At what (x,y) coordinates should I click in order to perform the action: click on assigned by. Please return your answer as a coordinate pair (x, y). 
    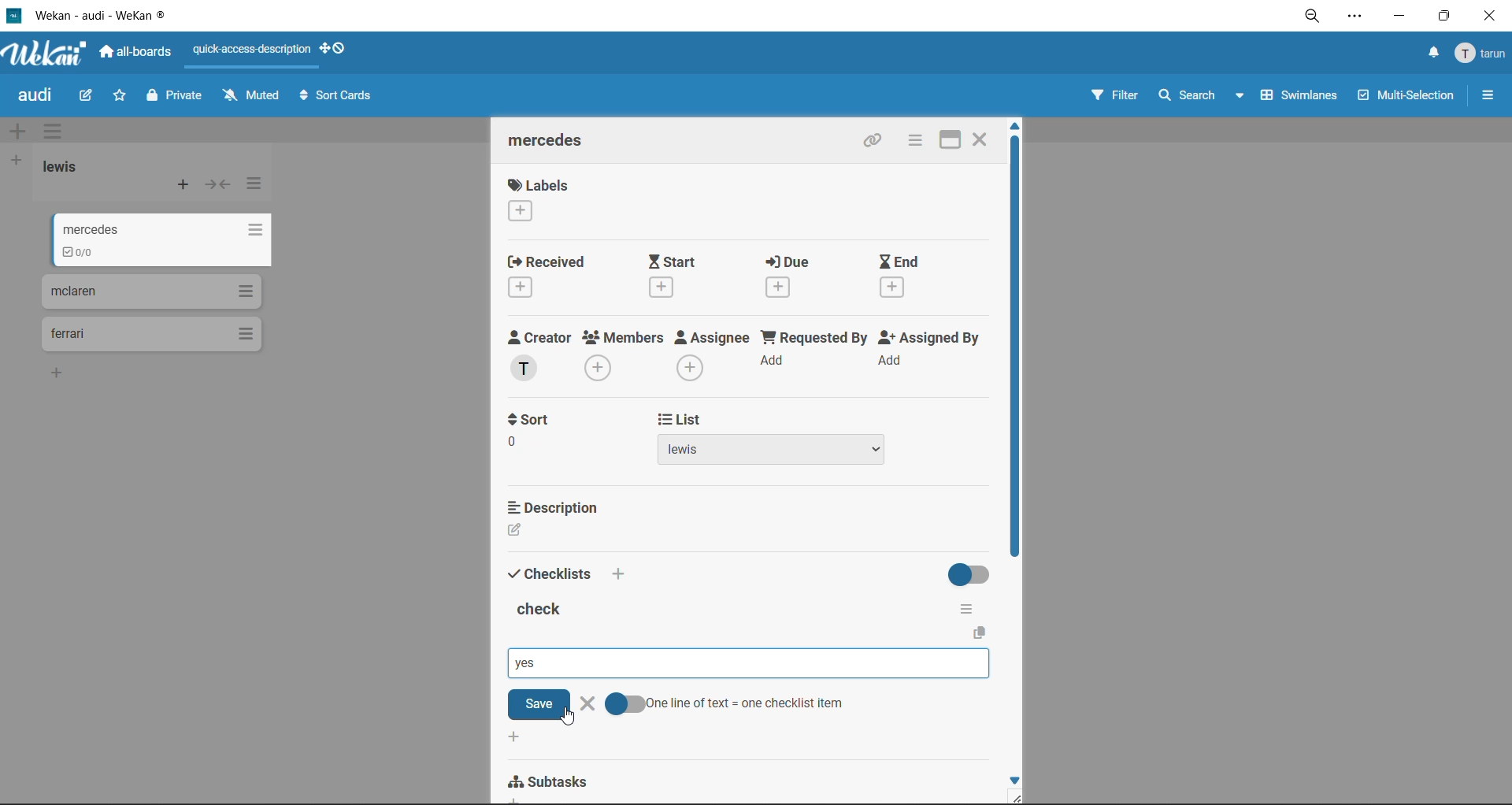
    Looking at the image, I should click on (933, 354).